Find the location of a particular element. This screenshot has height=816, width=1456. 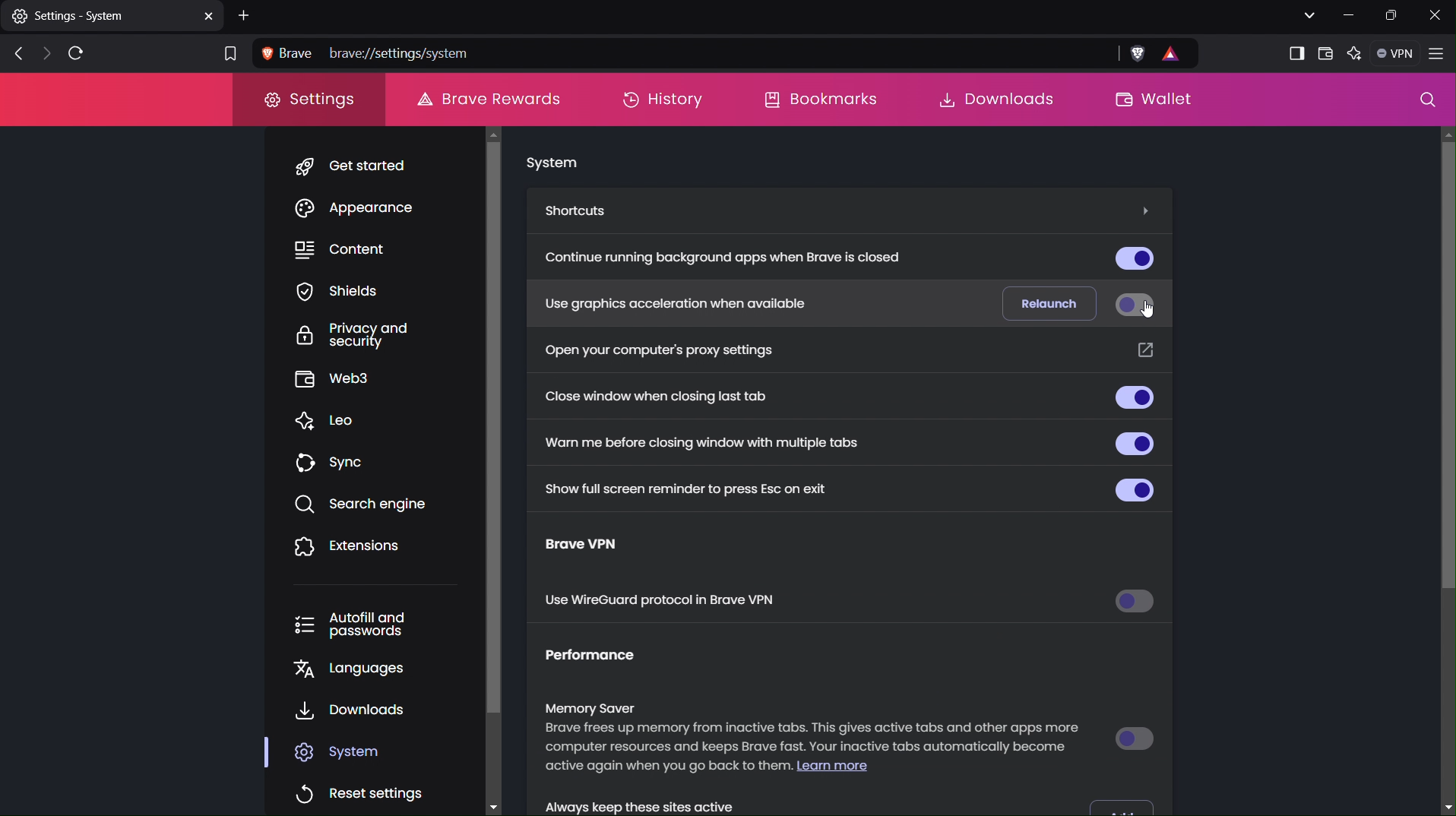

Performance is located at coordinates (603, 660).